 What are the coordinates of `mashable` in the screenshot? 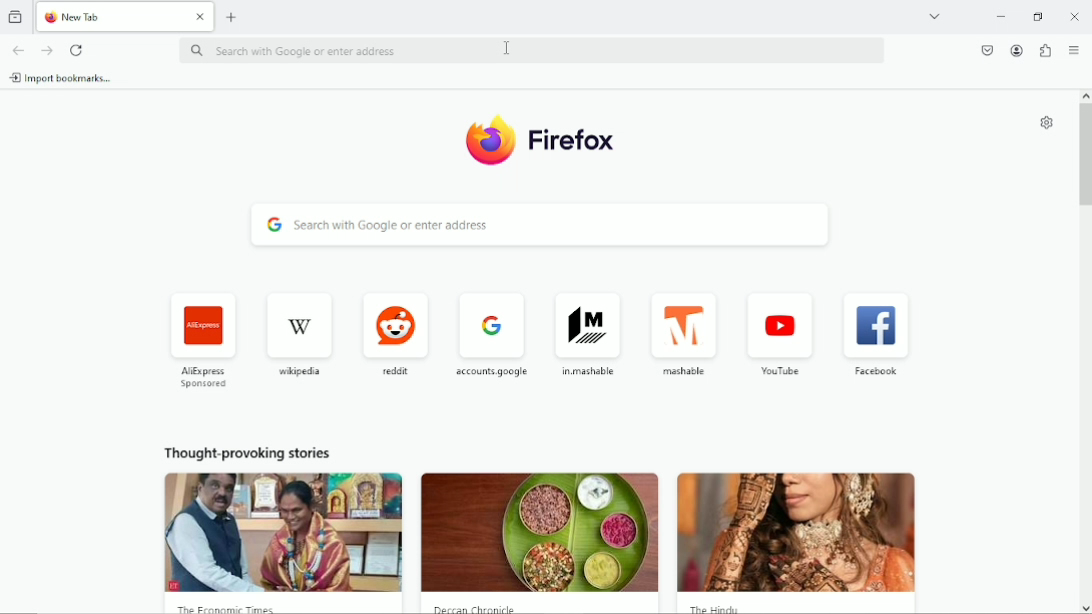 It's located at (685, 327).